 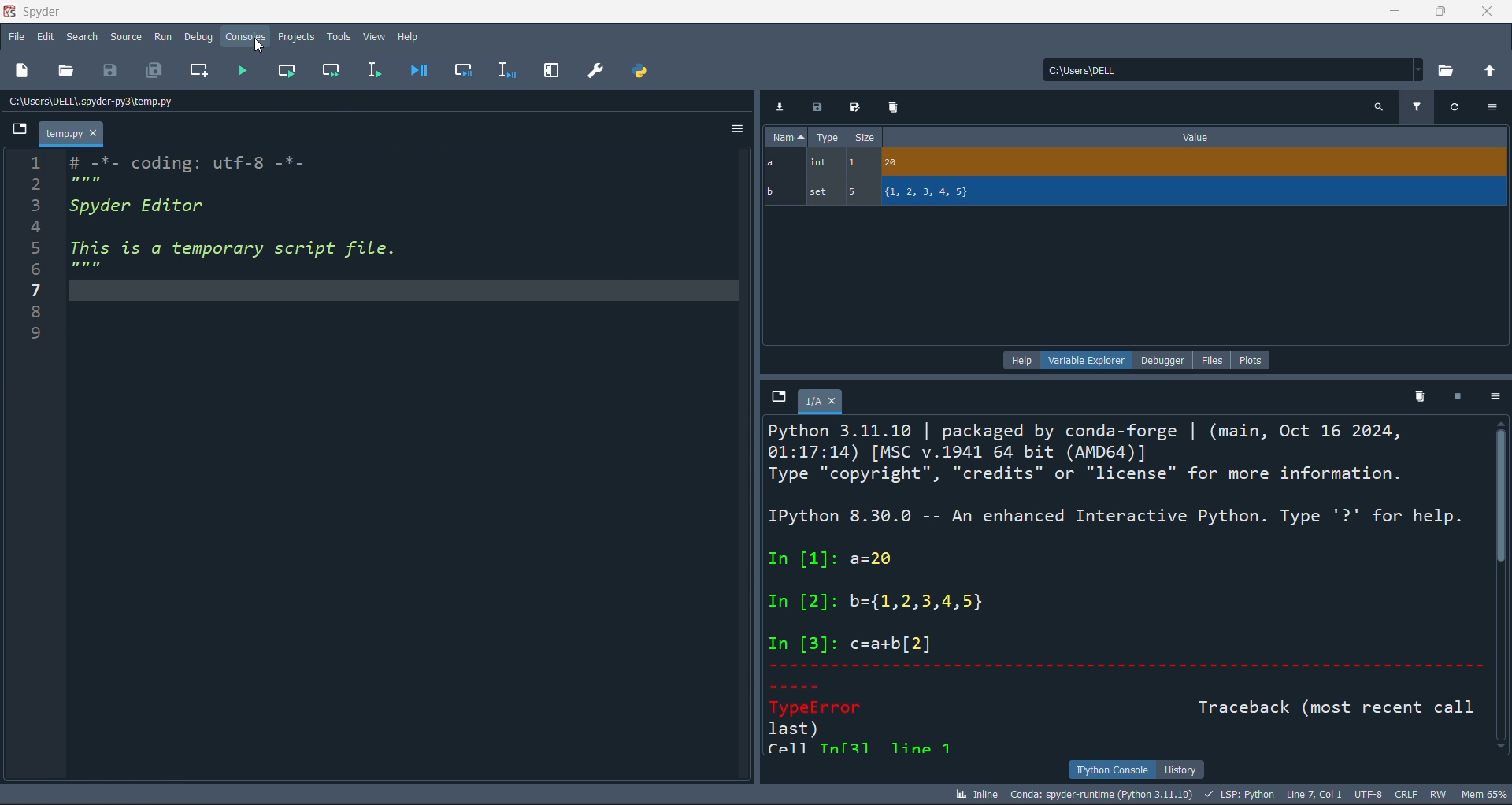 I want to click on cursor, so click(x=259, y=46).